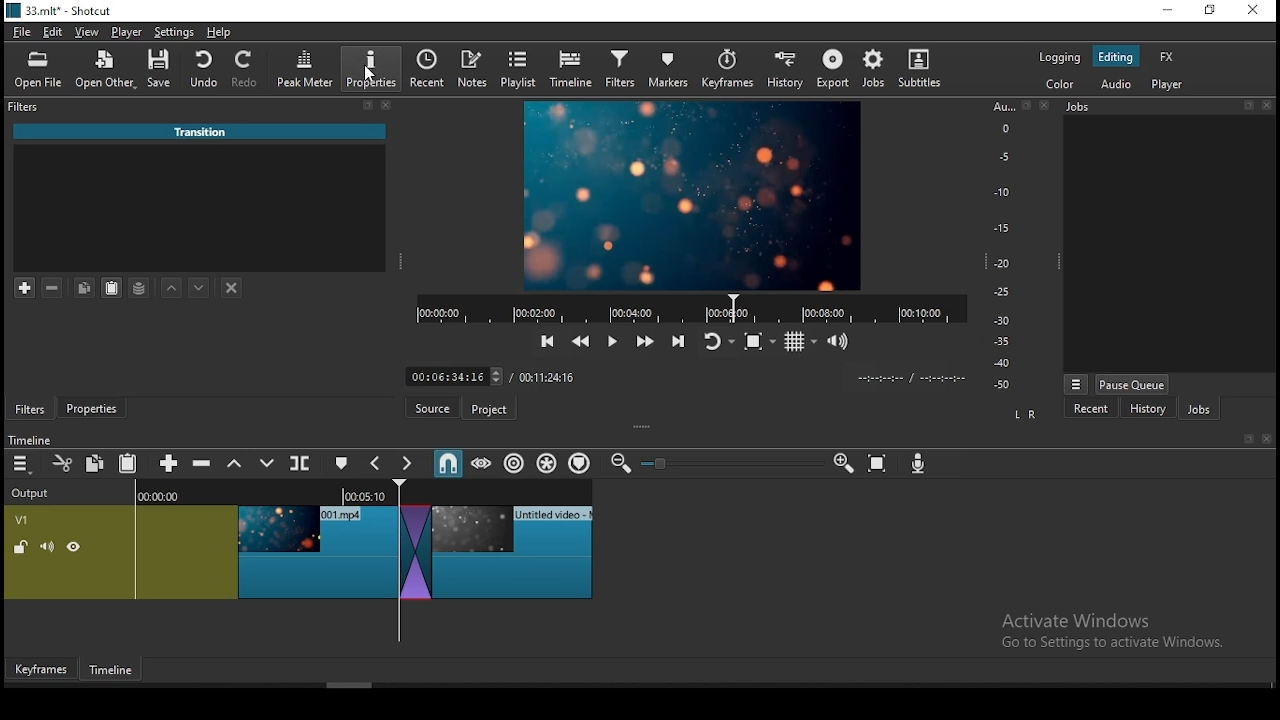 The height and width of the screenshot is (720, 1280). I want to click on overwrite, so click(267, 464).